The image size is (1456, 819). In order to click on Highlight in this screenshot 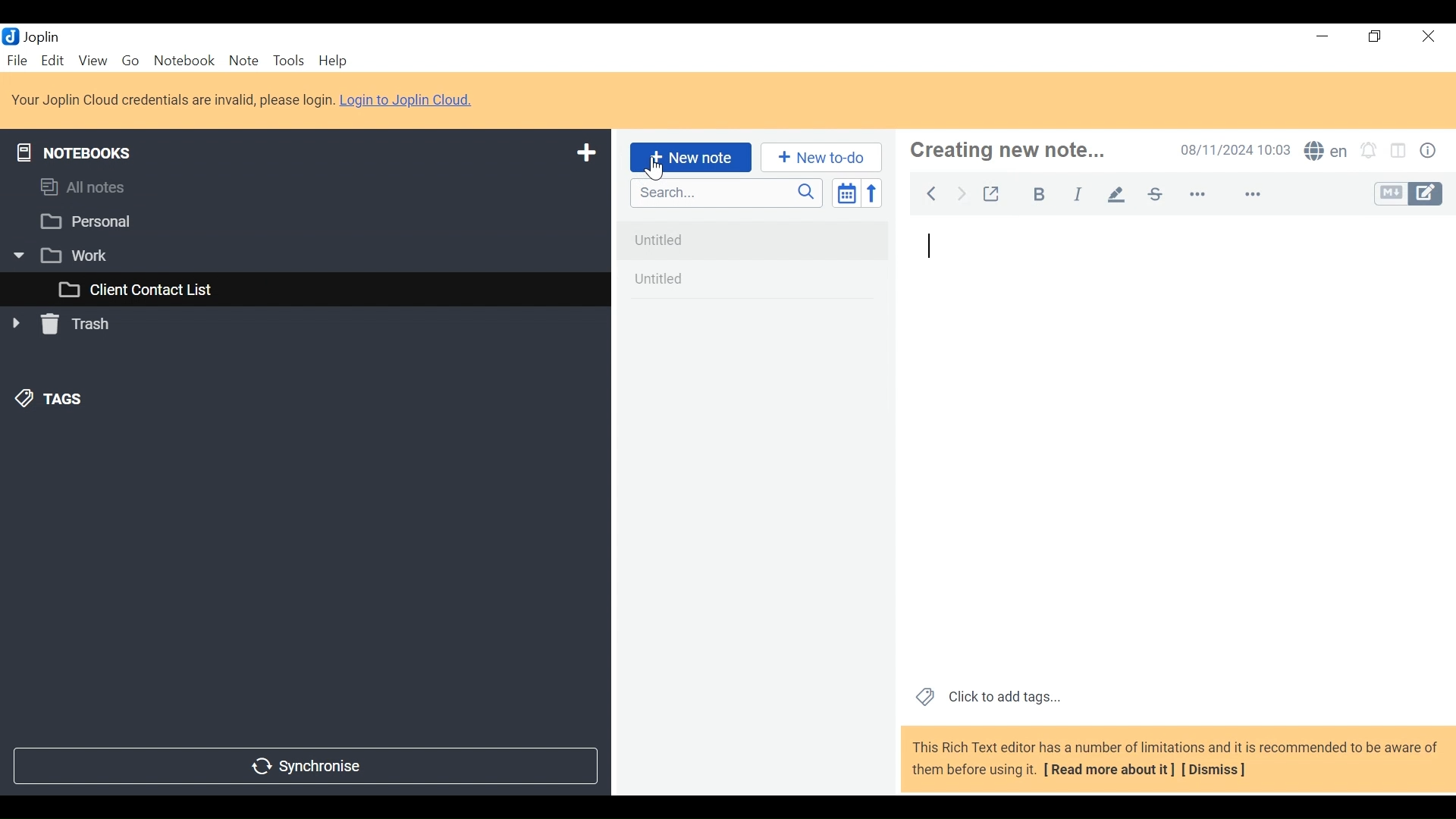, I will do `click(1117, 196)`.